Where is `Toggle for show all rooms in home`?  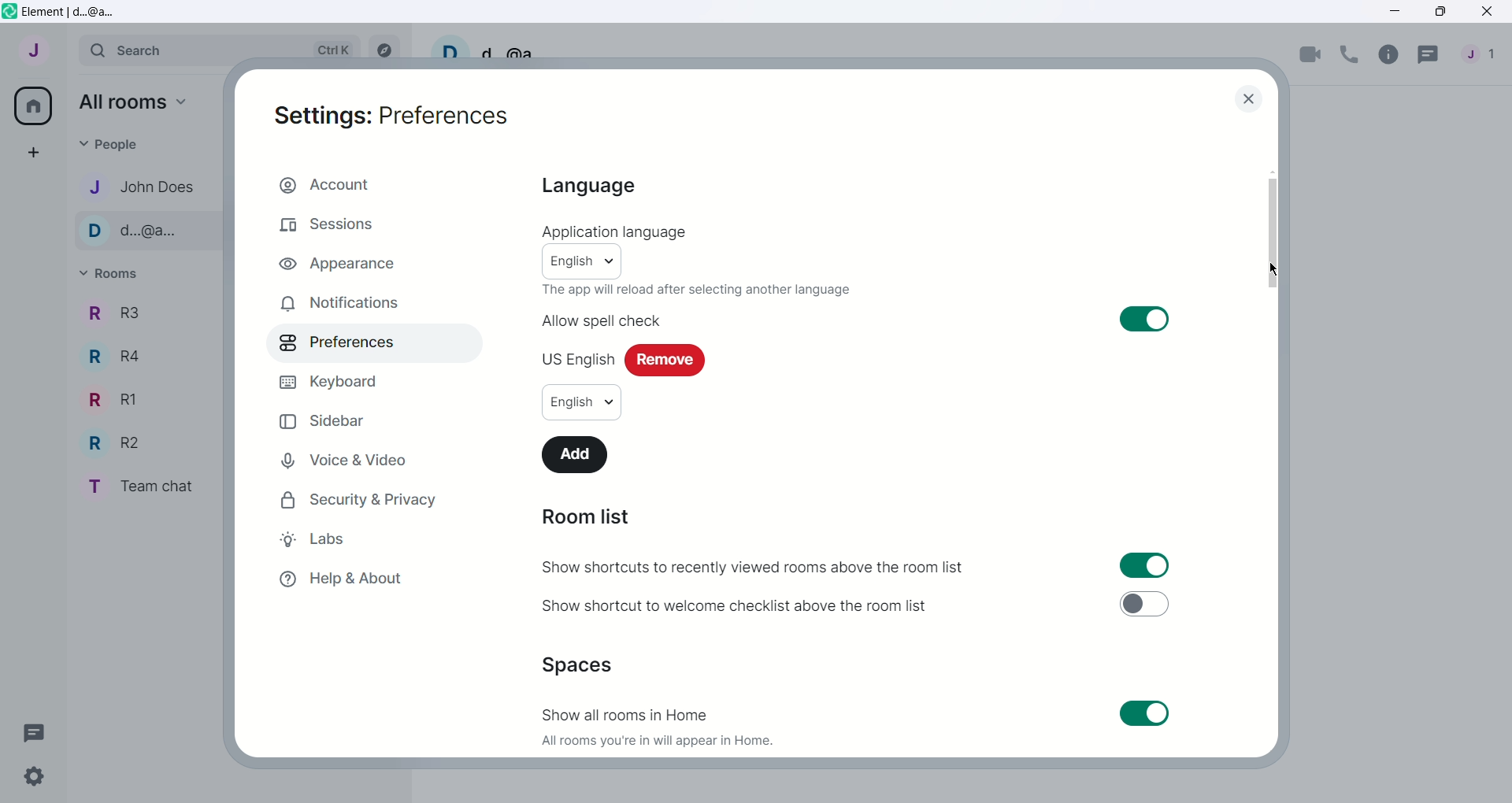 Toggle for show all rooms in home is located at coordinates (1145, 713).